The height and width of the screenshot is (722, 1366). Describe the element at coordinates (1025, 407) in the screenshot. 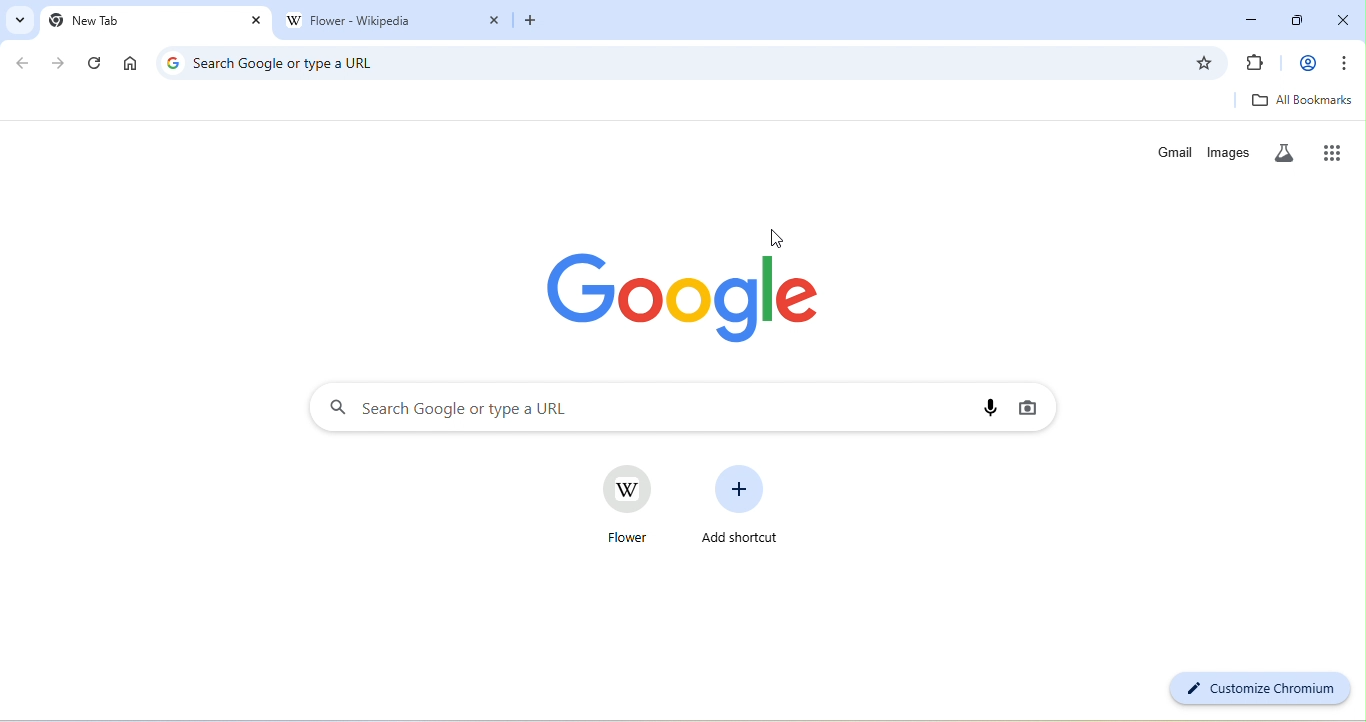

I see `search by image` at that location.